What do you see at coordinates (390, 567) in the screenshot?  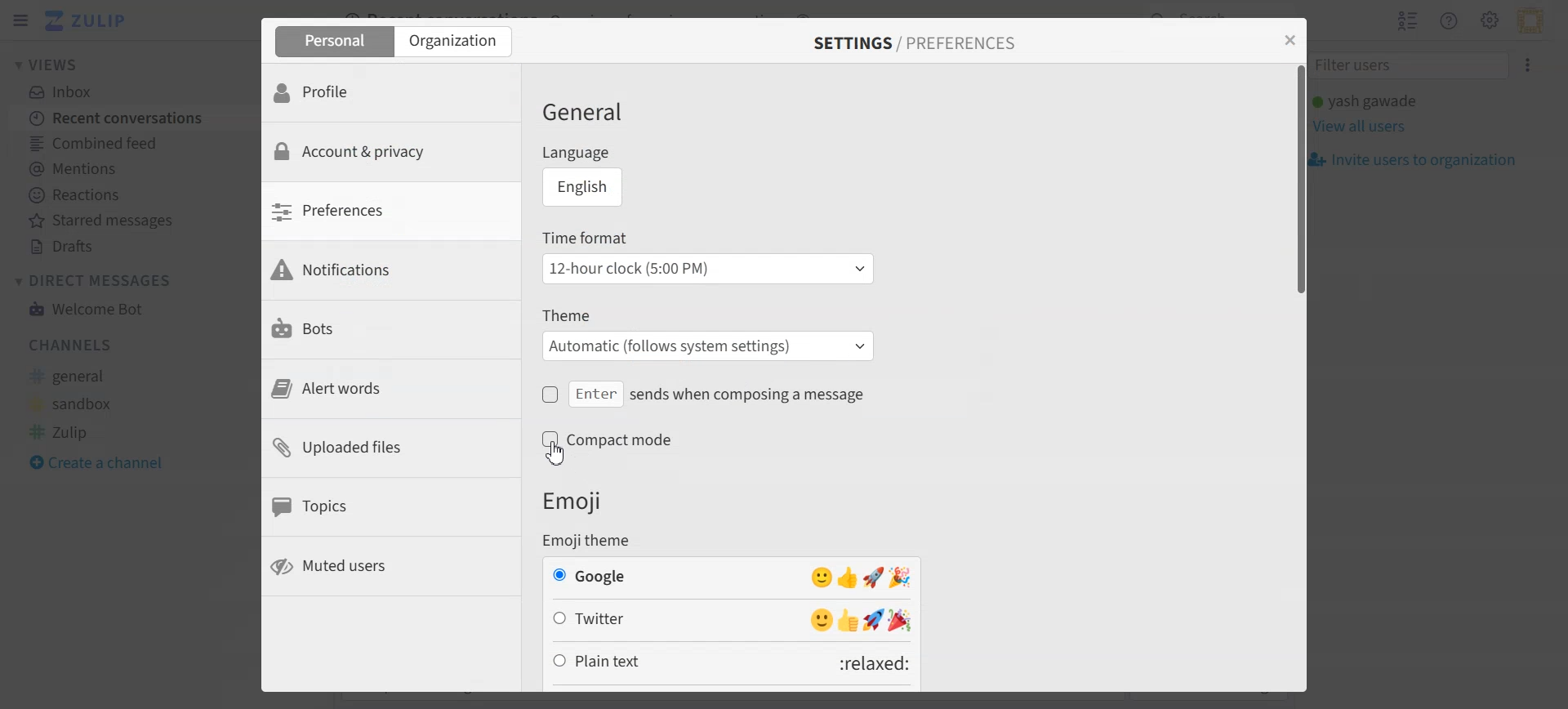 I see `Muted users` at bounding box center [390, 567].